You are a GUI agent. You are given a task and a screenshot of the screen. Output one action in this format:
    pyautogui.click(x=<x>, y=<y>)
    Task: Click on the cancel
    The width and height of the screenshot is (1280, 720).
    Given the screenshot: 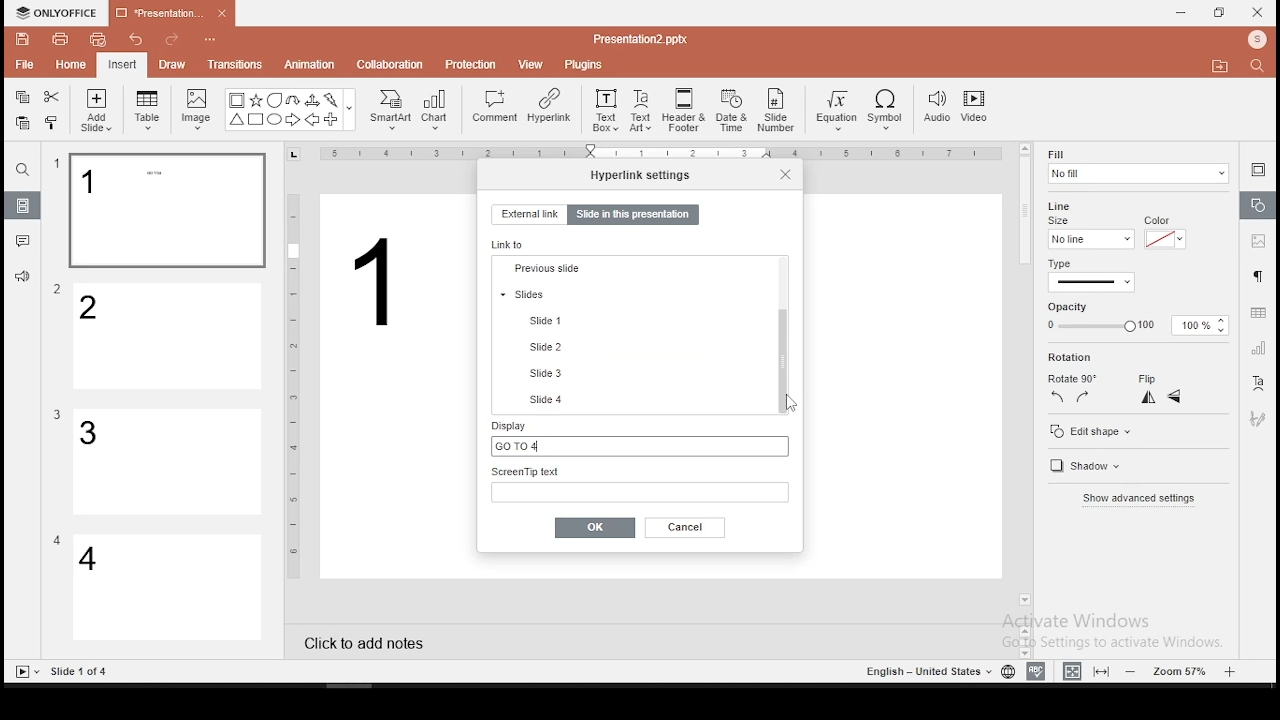 What is the action you would take?
    pyautogui.click(x=686, y=527)
    